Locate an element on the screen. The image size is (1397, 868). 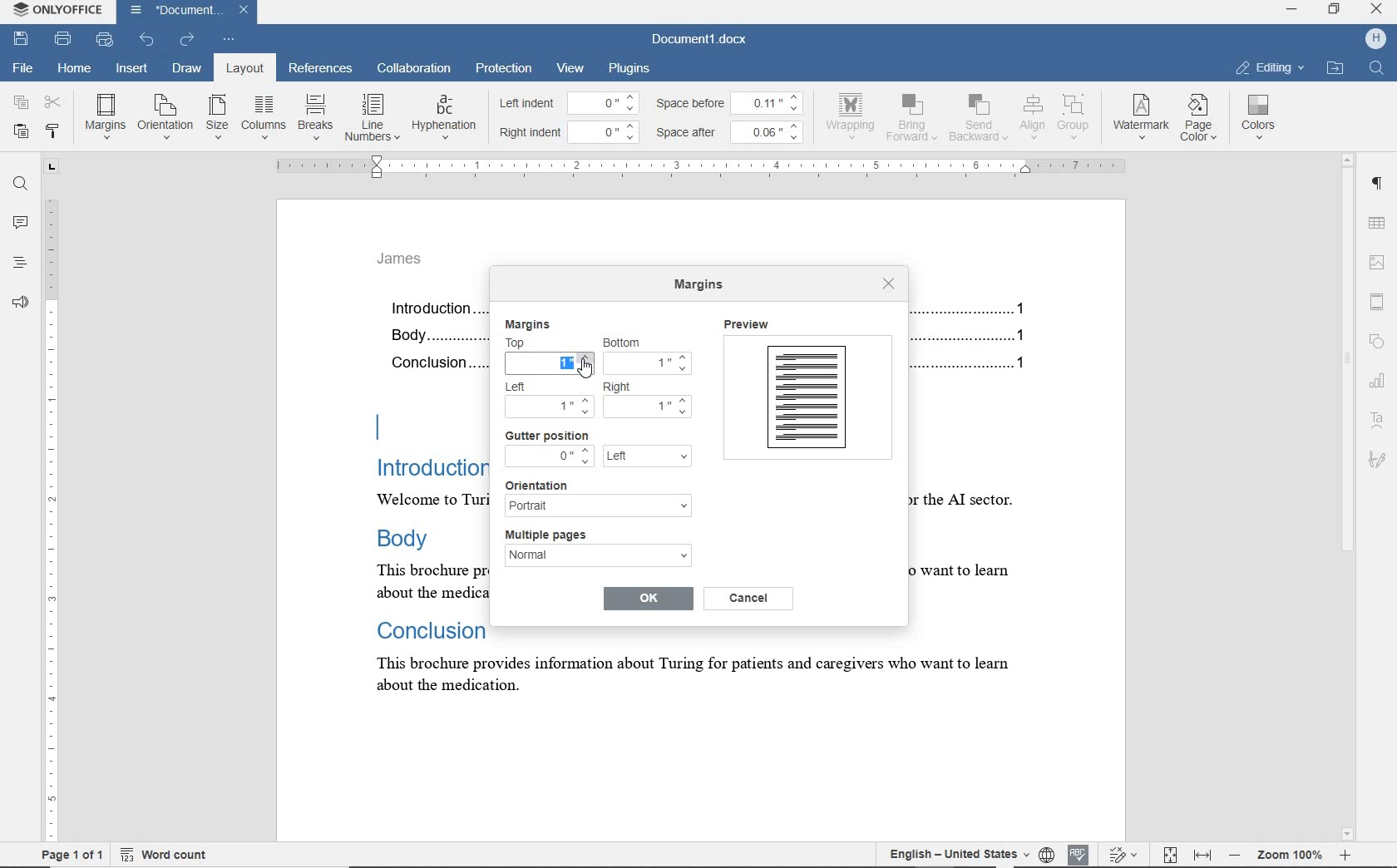
colors is located at coordinates (1261, 117).